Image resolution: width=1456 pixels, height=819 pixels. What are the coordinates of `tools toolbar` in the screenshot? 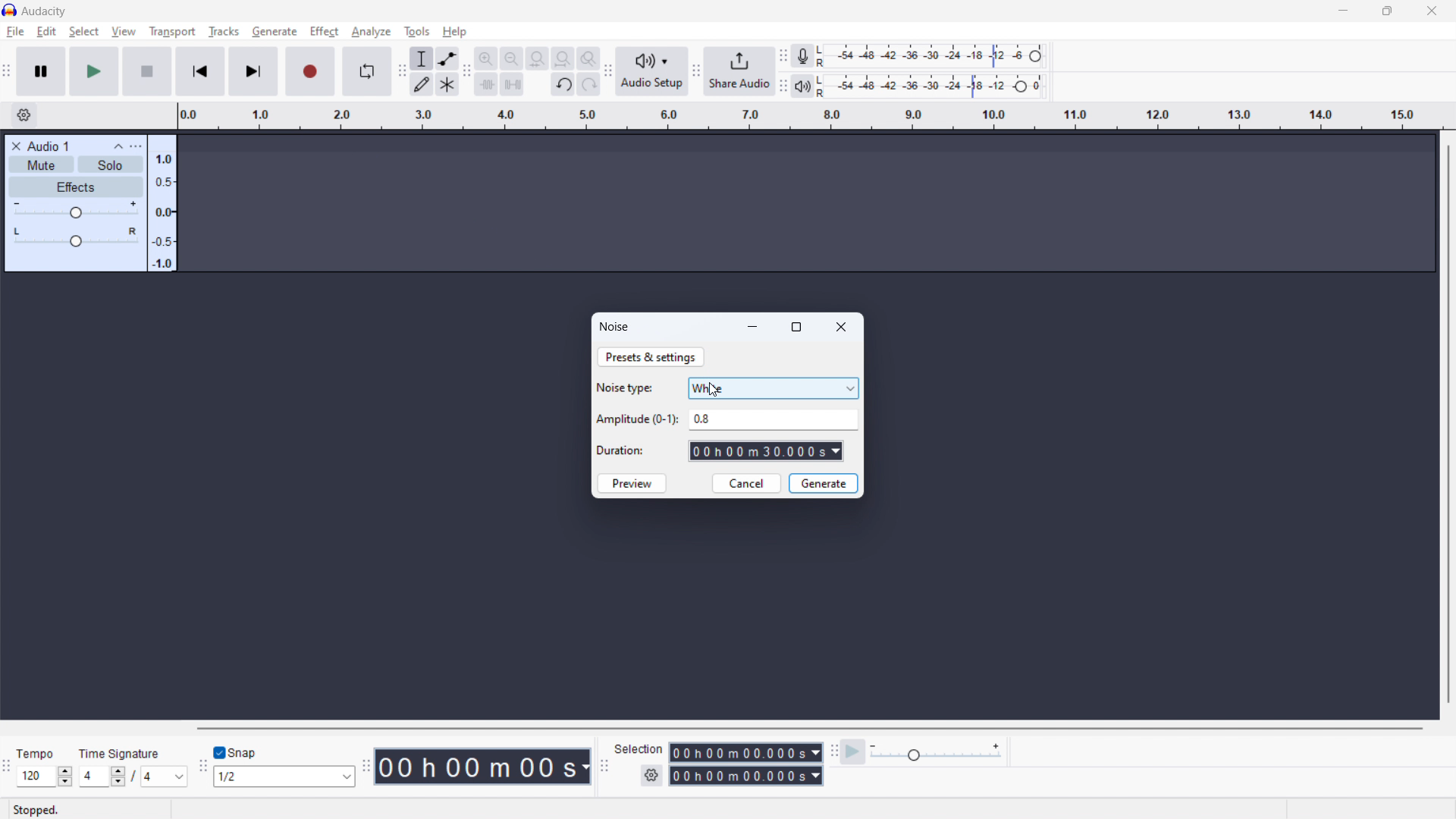 It's located at (401, 71).